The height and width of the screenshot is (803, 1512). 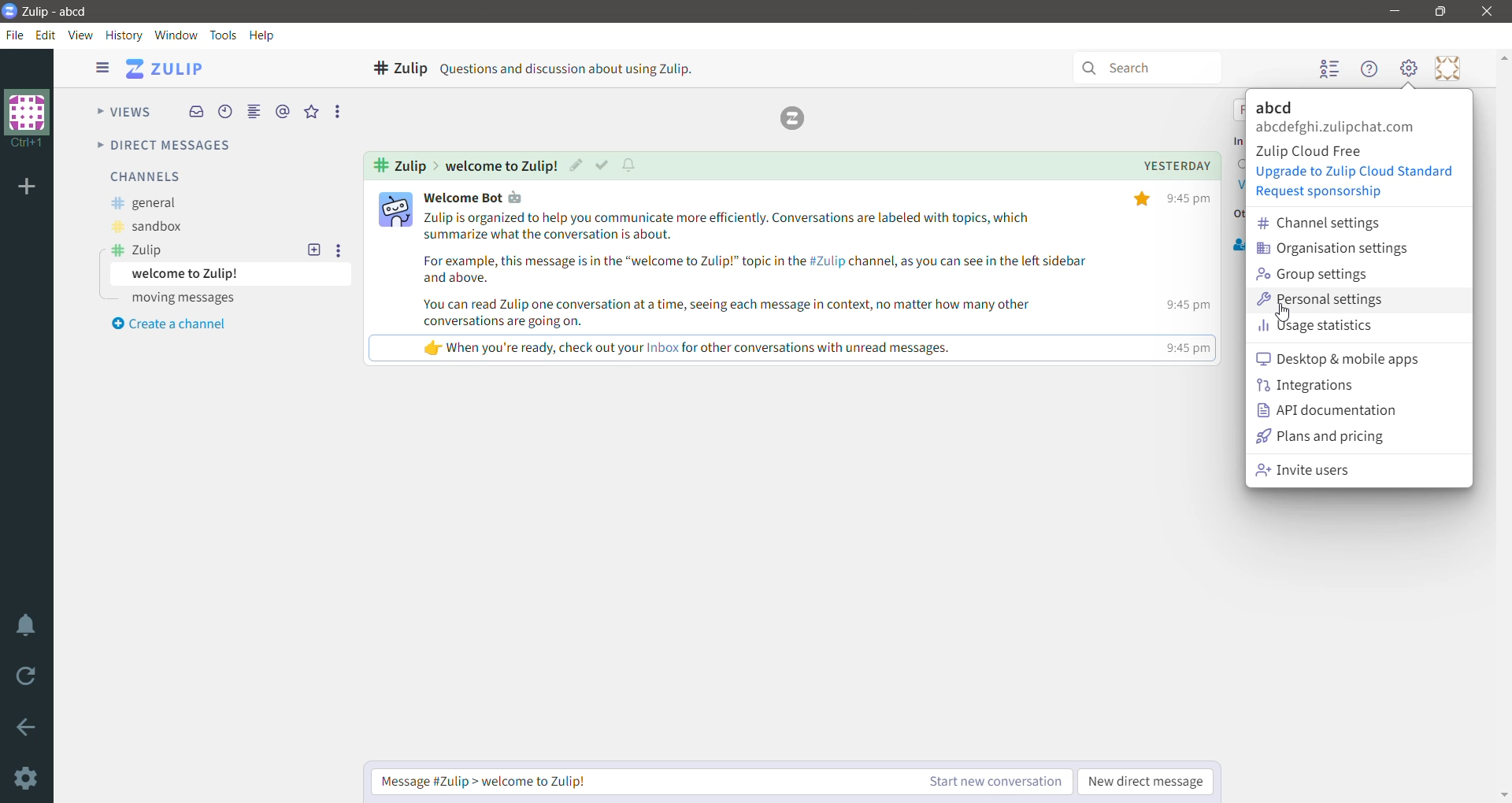 What do you see at coordinates (569, 68) in the screenshot?
I see `Questions and discussion about using Zulip` at bounding box center [569, 68].